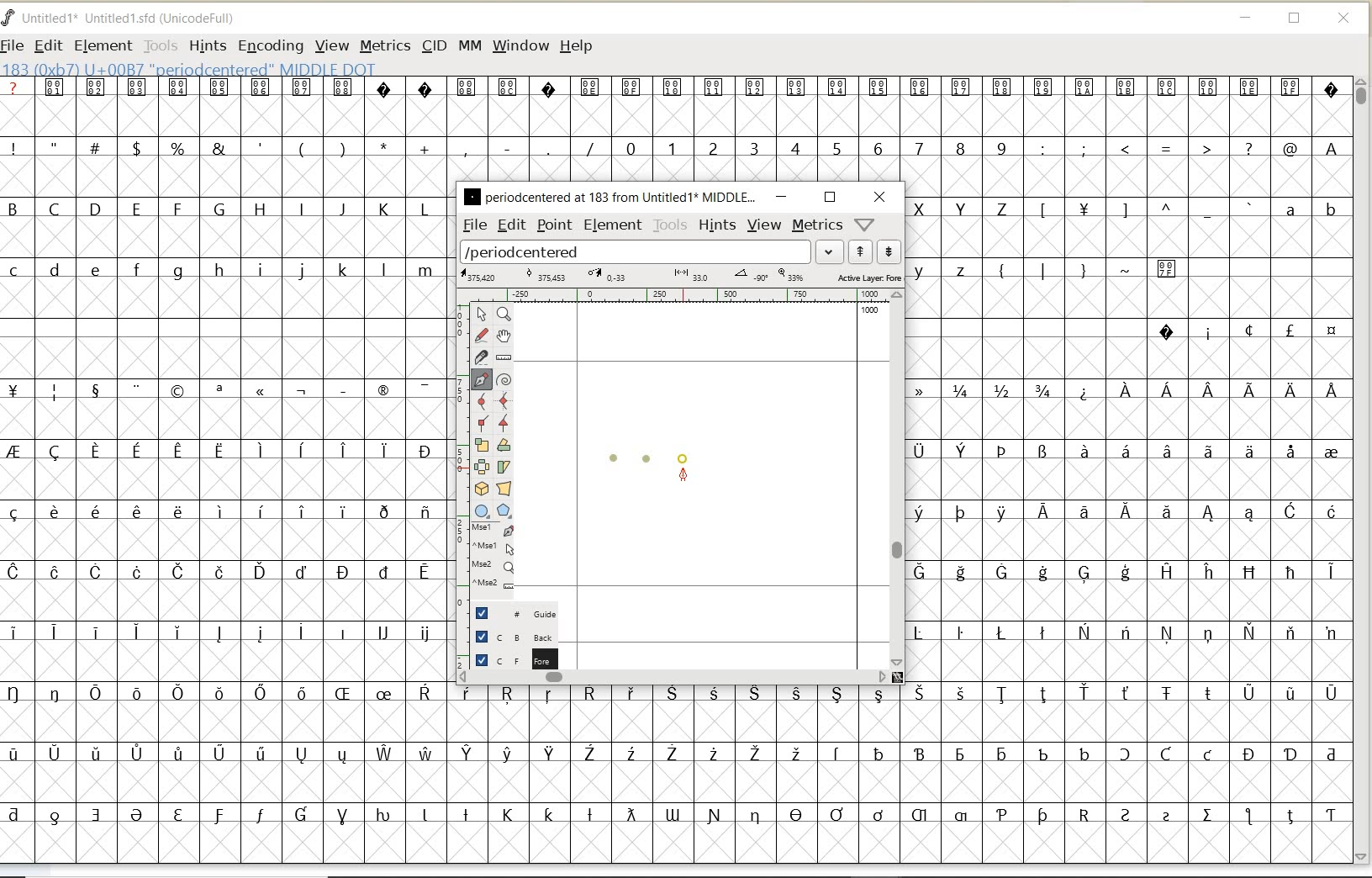 The height and width of the screenshot is (878, 1372). Describe the element at coordinates (895, 761) in the screenshot. I see `special characters` at that location.